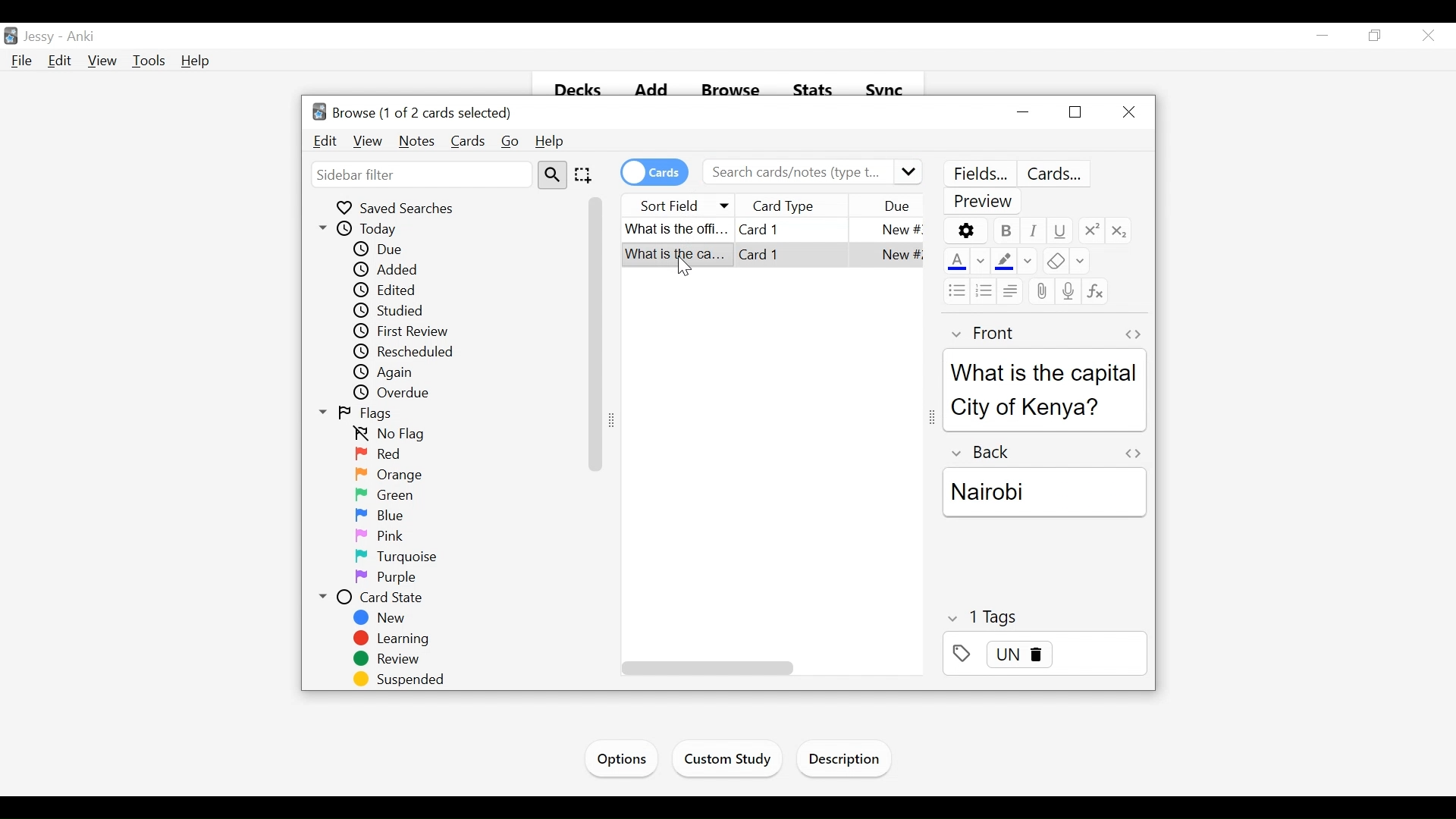 This screenshot has height=819, width=1456. What do you see at coordinates (61, 61) in the screenshot?
I see `Edit` at bounding box center [61, 61].